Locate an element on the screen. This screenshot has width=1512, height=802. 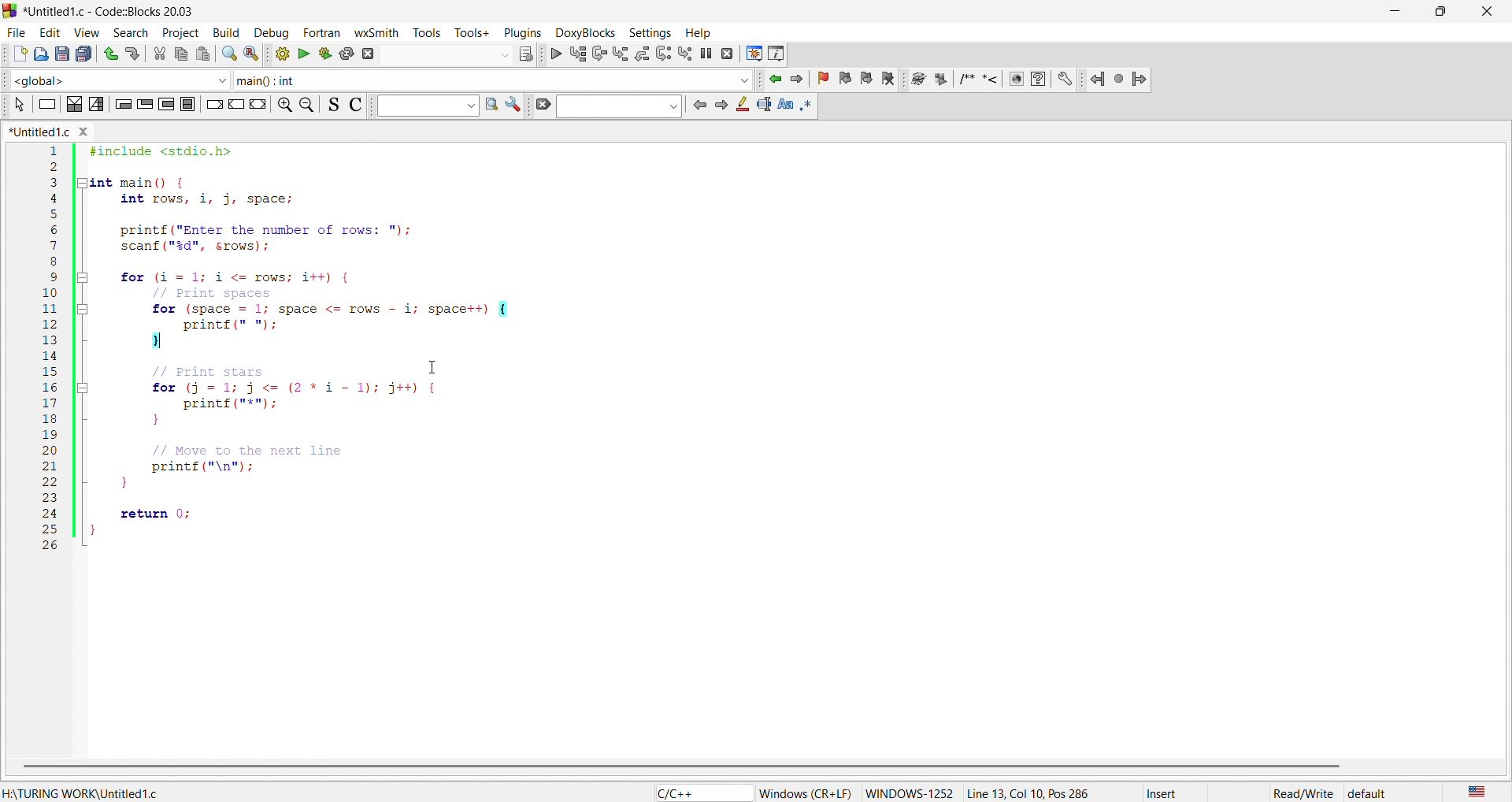
new file is located at coordinates (17, 51).